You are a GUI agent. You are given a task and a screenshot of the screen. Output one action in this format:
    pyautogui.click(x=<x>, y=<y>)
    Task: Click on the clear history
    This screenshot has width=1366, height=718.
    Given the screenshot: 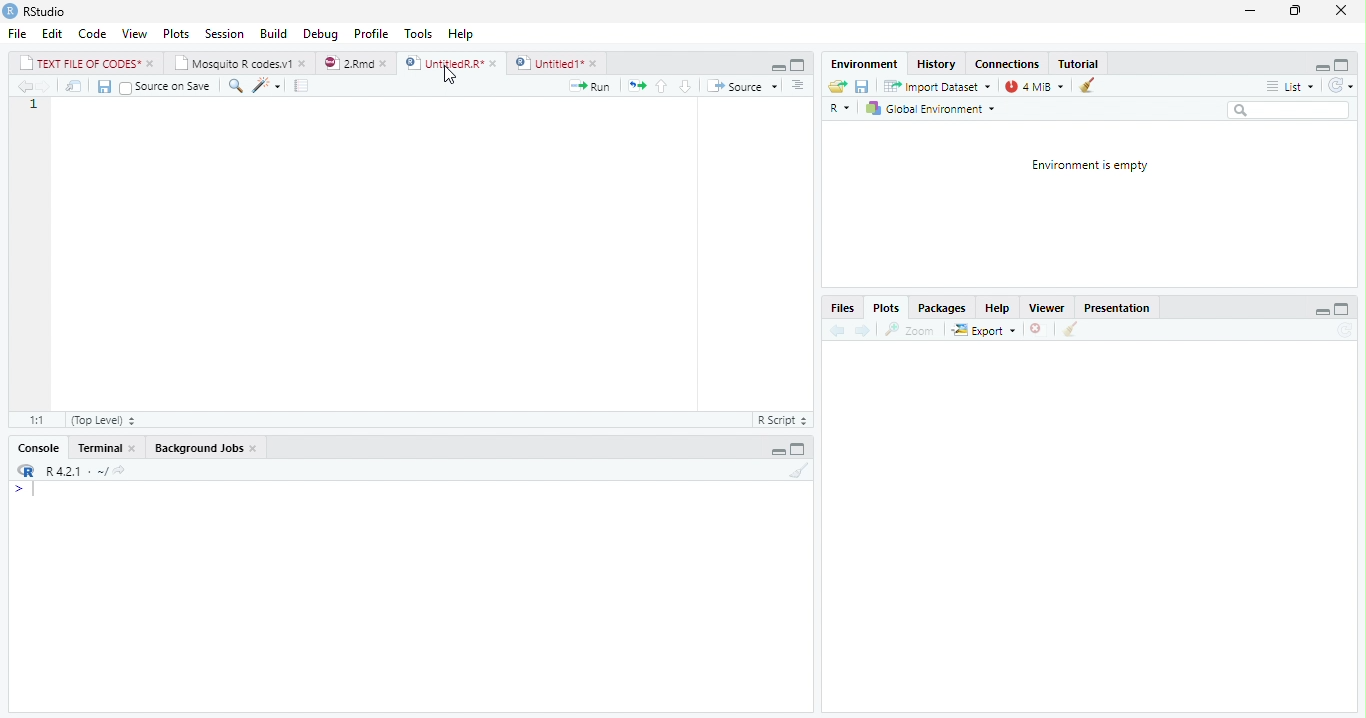 What is the action you would take?
    pyautogui.click(x=1091, y=86)
    